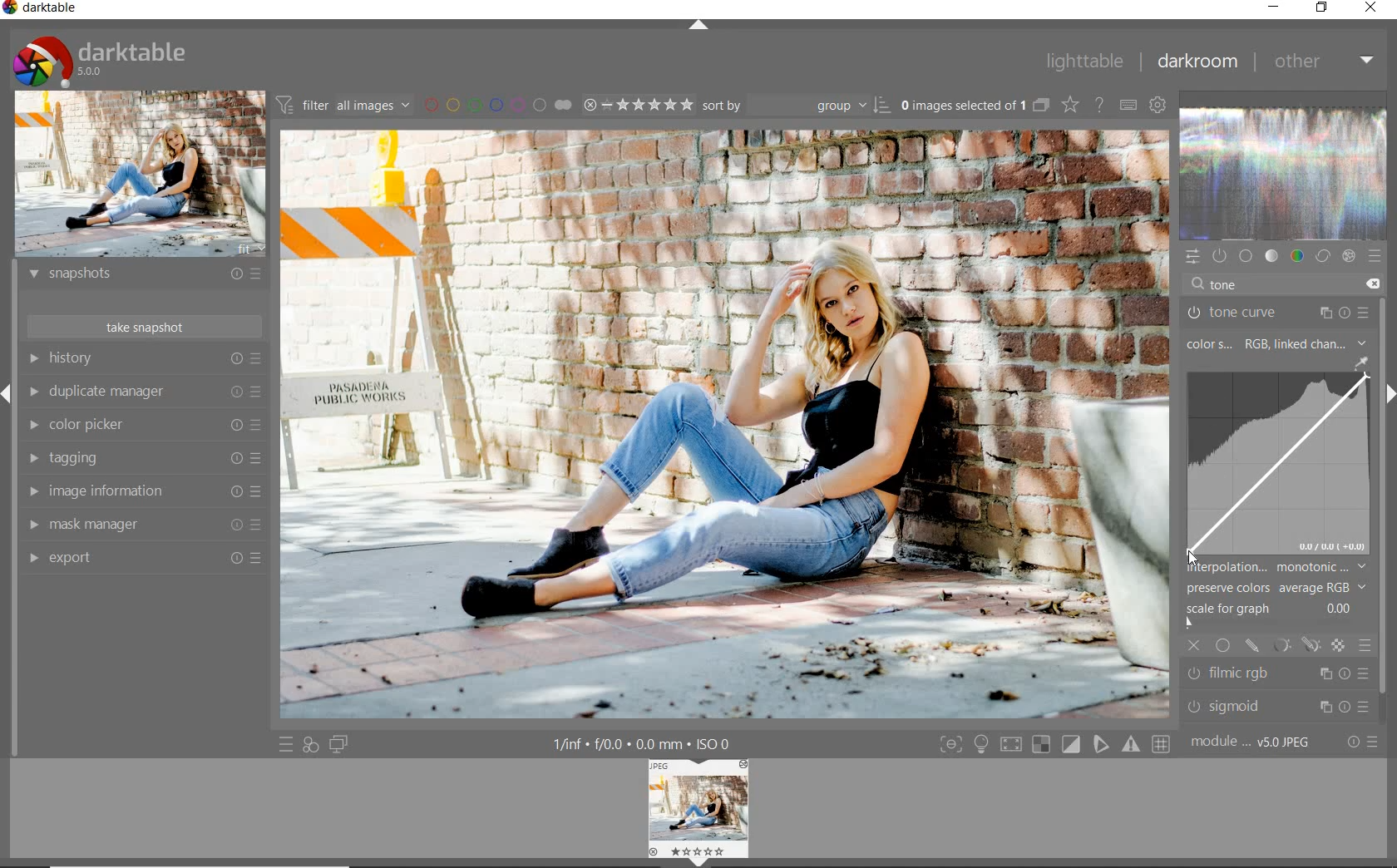 The width and height of the screenshot is (1397, 868). I want to click on range rating of selected images, so click(637, 106).